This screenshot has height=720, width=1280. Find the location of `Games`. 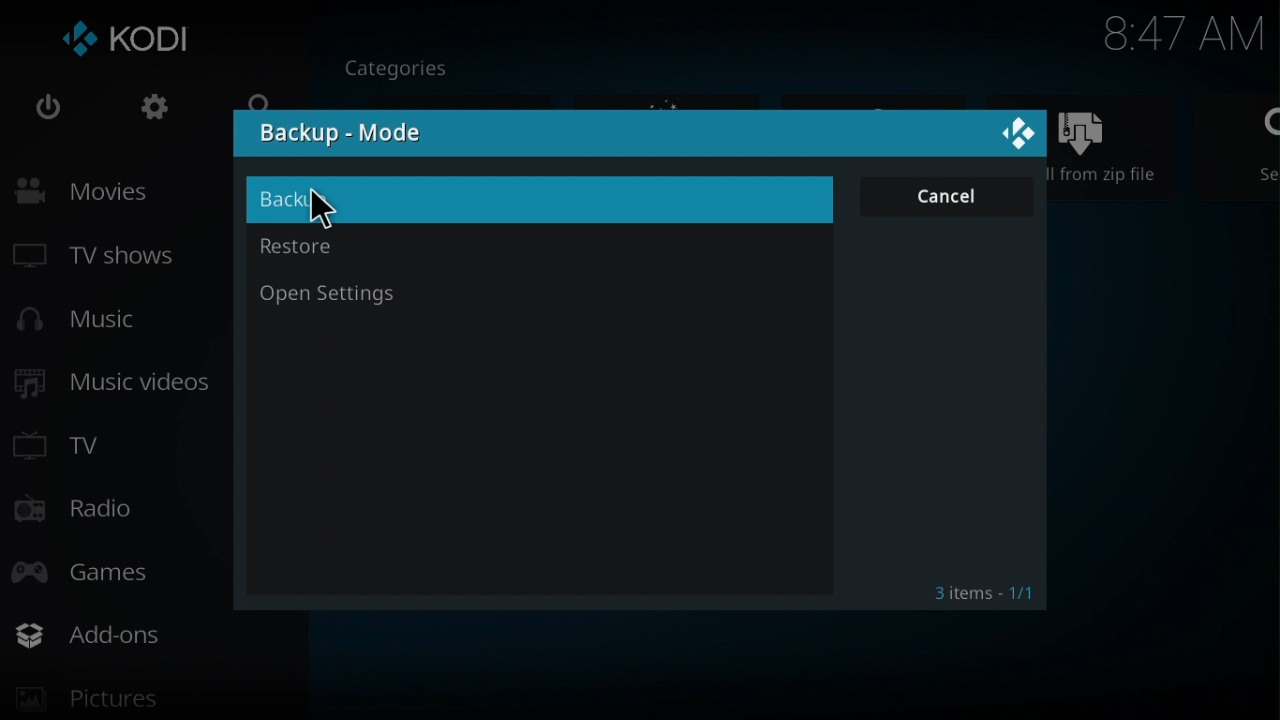

Games is located at coordinates (106, 568).